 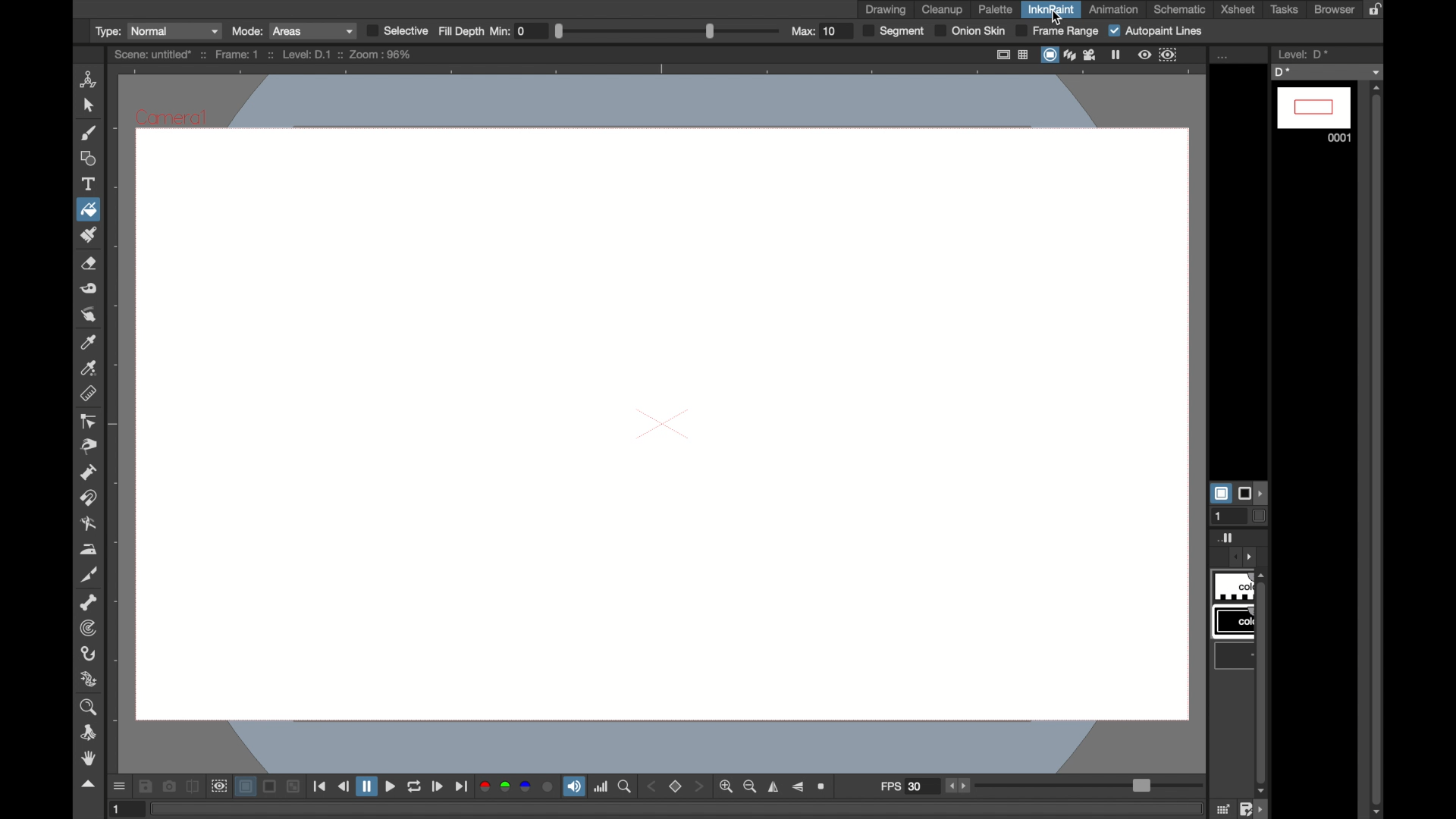 I want to click on minimize, so click(x=295, y=788).